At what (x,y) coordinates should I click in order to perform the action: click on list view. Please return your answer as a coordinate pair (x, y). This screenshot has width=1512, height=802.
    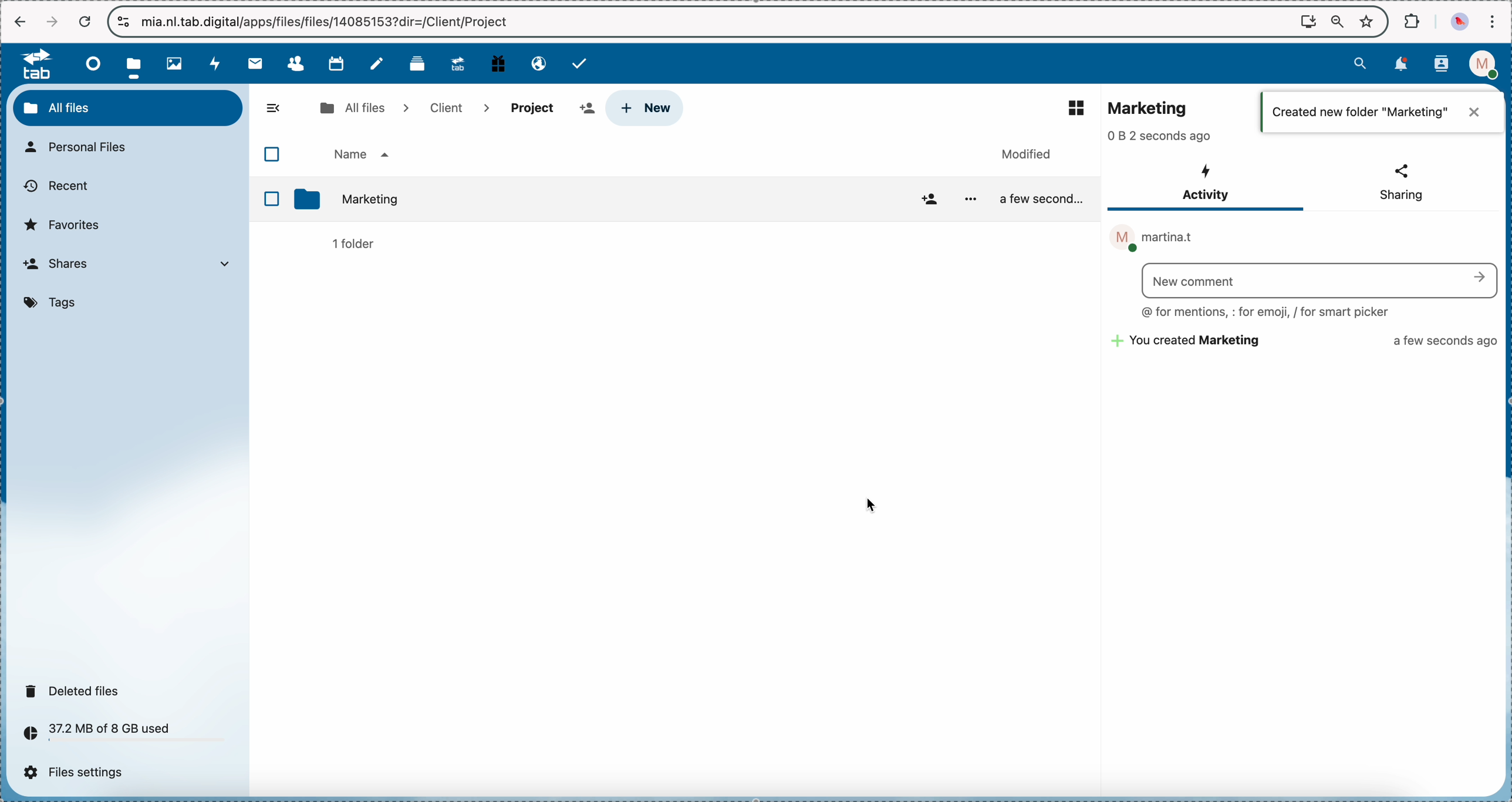
    Looking at the image, I should click on (1381, 113).